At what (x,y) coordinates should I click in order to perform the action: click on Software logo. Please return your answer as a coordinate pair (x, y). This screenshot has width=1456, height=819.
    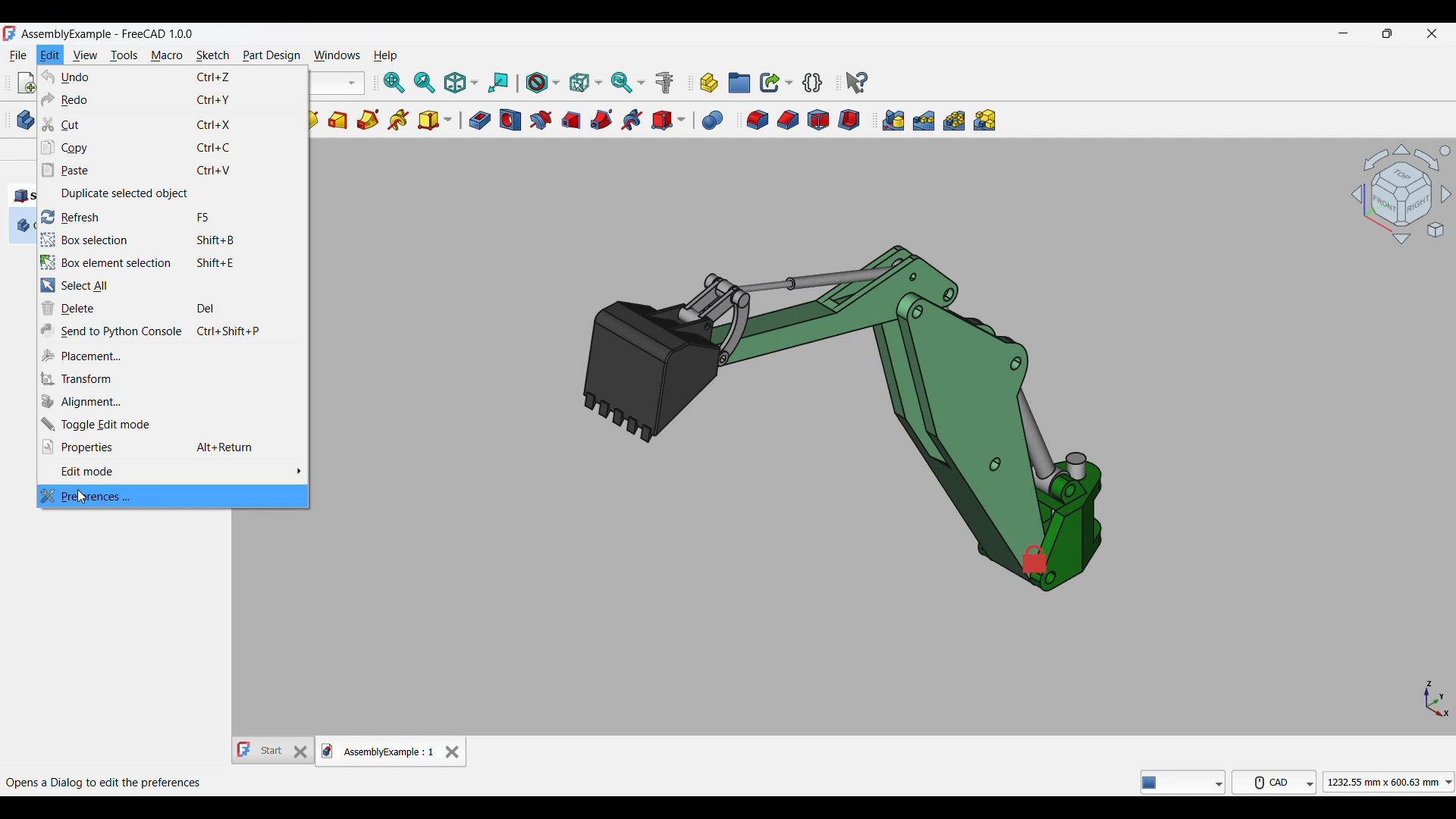
    Looking at the image, I should click on (9, 33).